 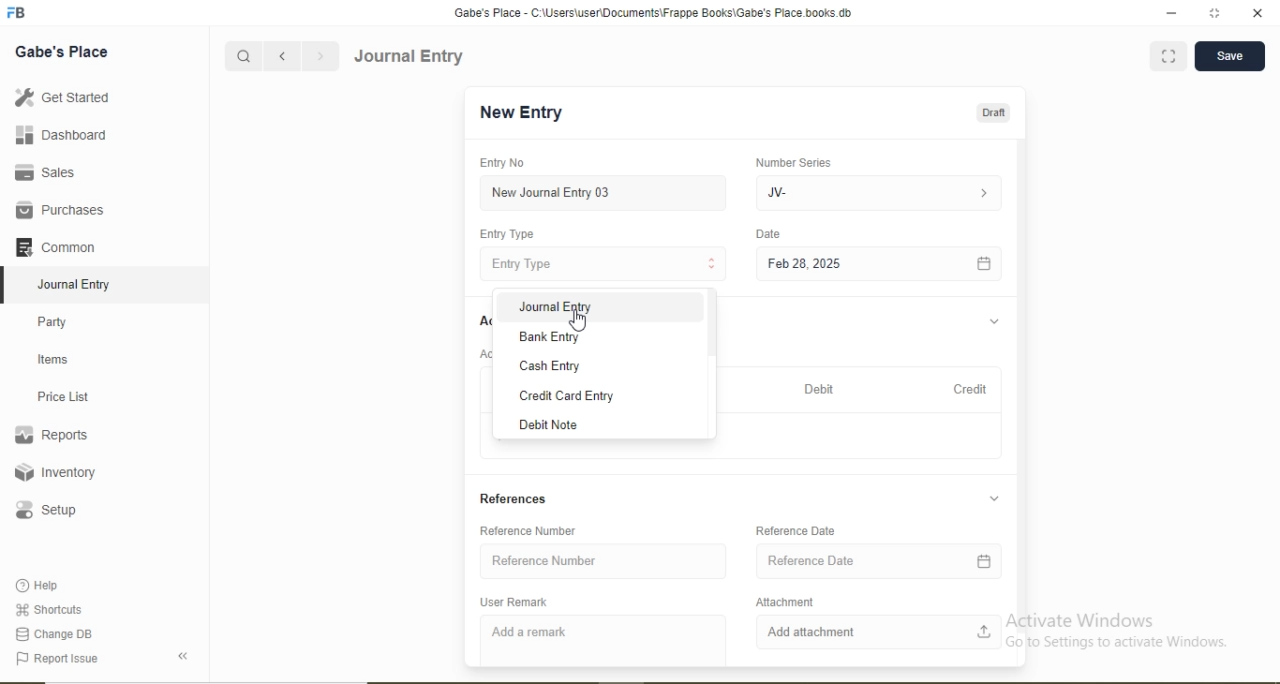 I want to click on Add attachment, so click(x=811, y=632).